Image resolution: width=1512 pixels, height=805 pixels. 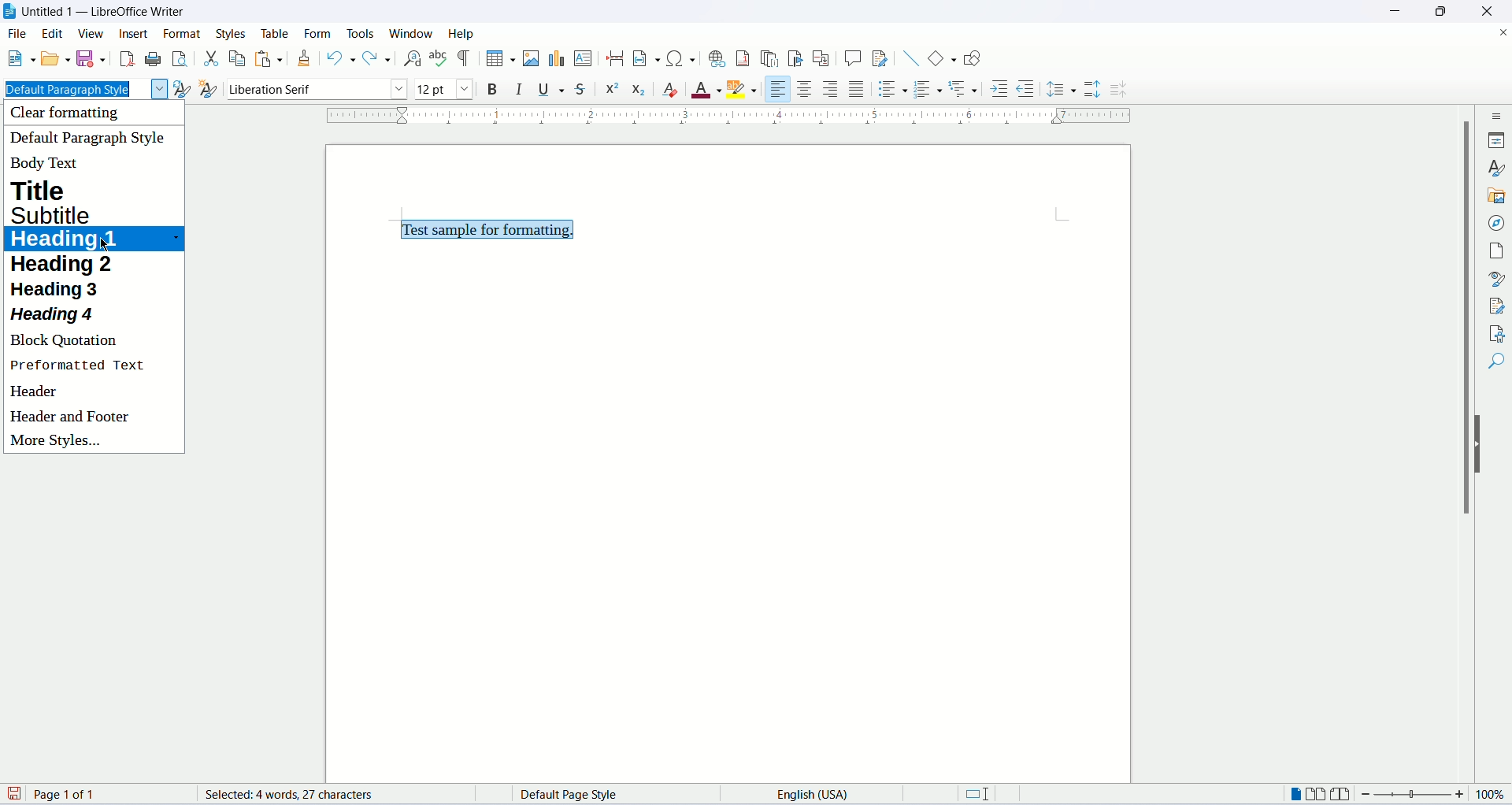 What do you see at coordinates (461, 33) in the screenshot?
I see `help` at bounding box center [461, 33].